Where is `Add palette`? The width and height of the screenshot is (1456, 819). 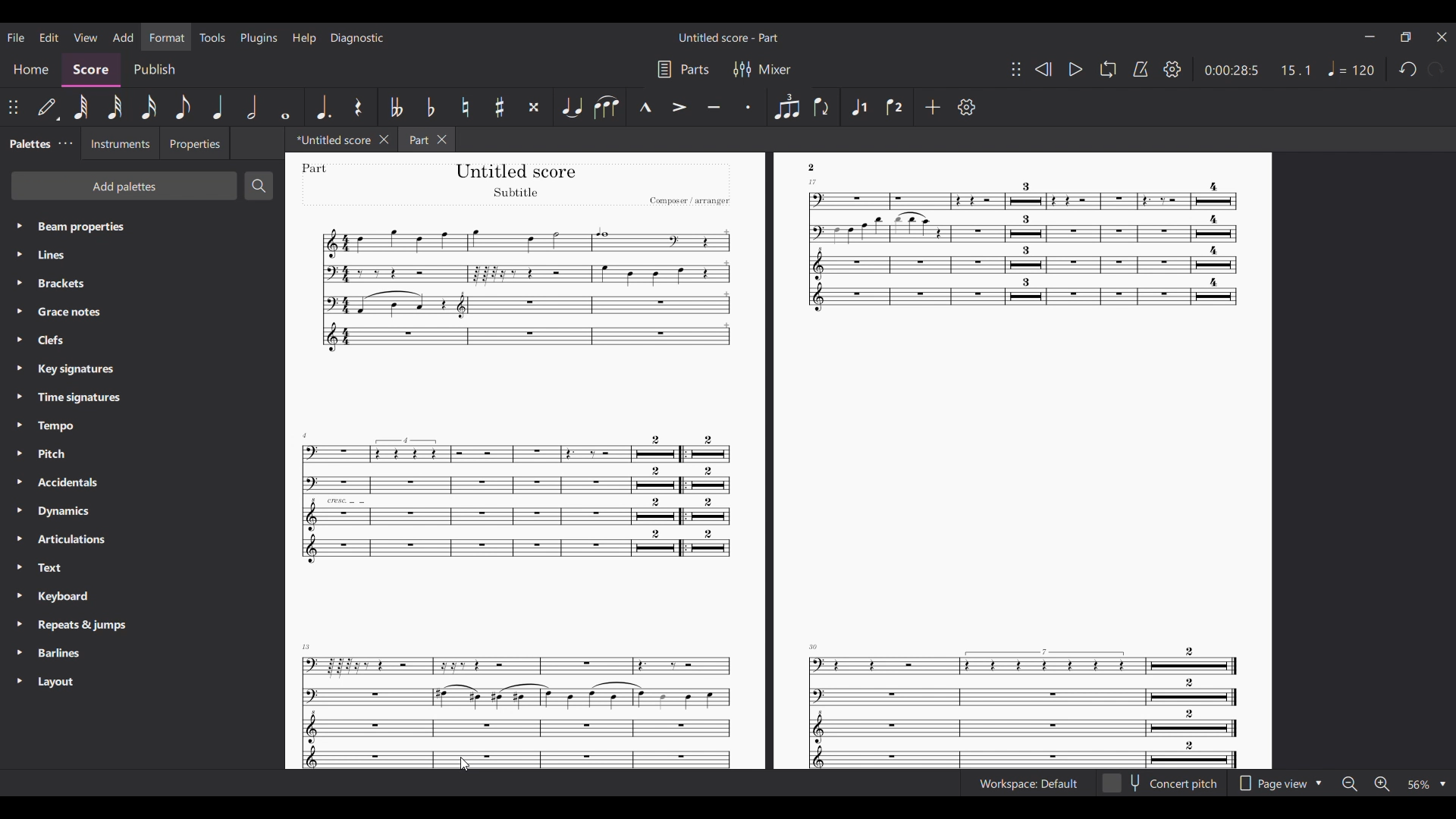
Add palette is located at coordinates (124, 186).